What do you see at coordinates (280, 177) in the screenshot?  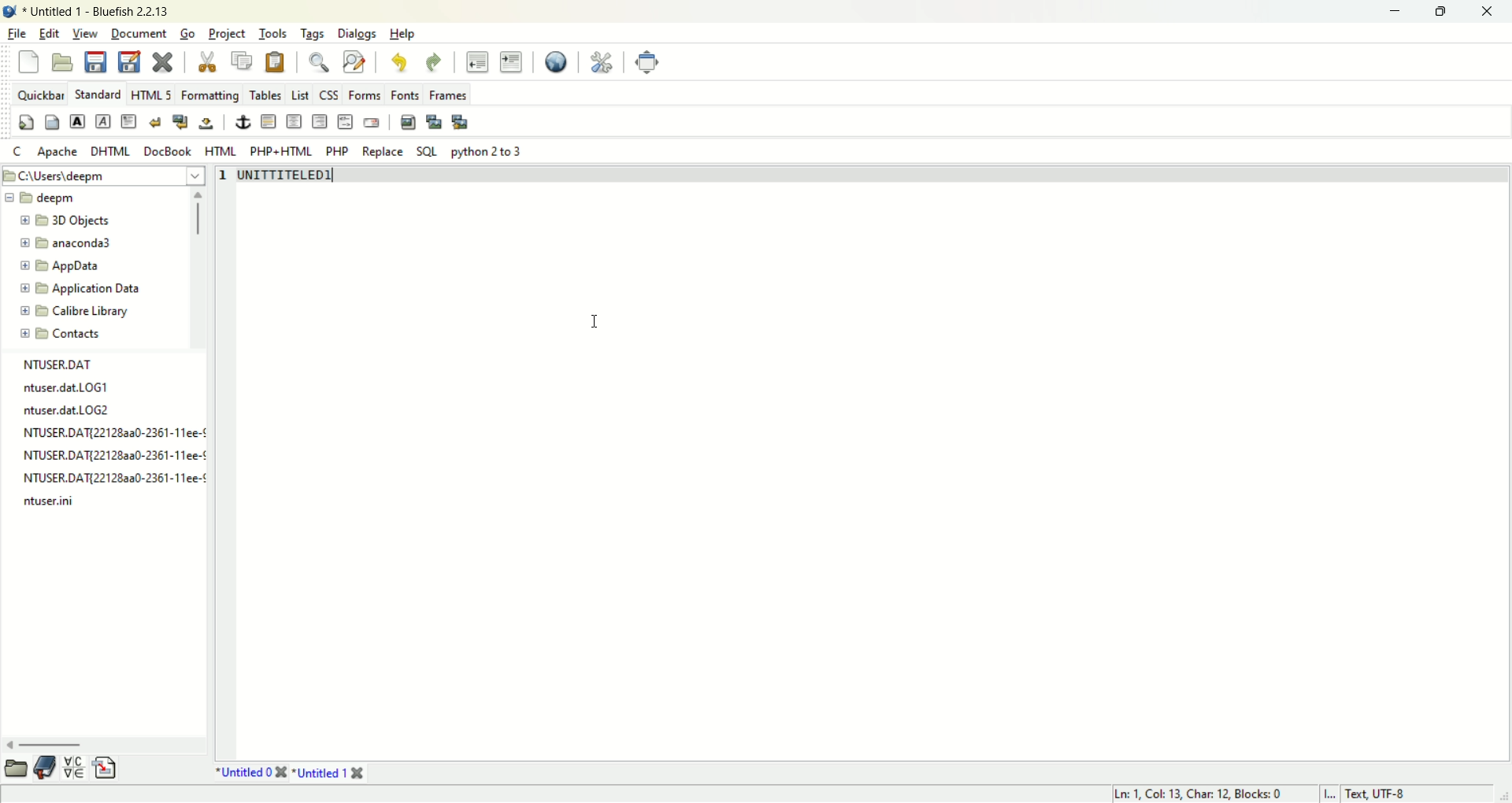 I see `title` at bounding box center [280, 177].